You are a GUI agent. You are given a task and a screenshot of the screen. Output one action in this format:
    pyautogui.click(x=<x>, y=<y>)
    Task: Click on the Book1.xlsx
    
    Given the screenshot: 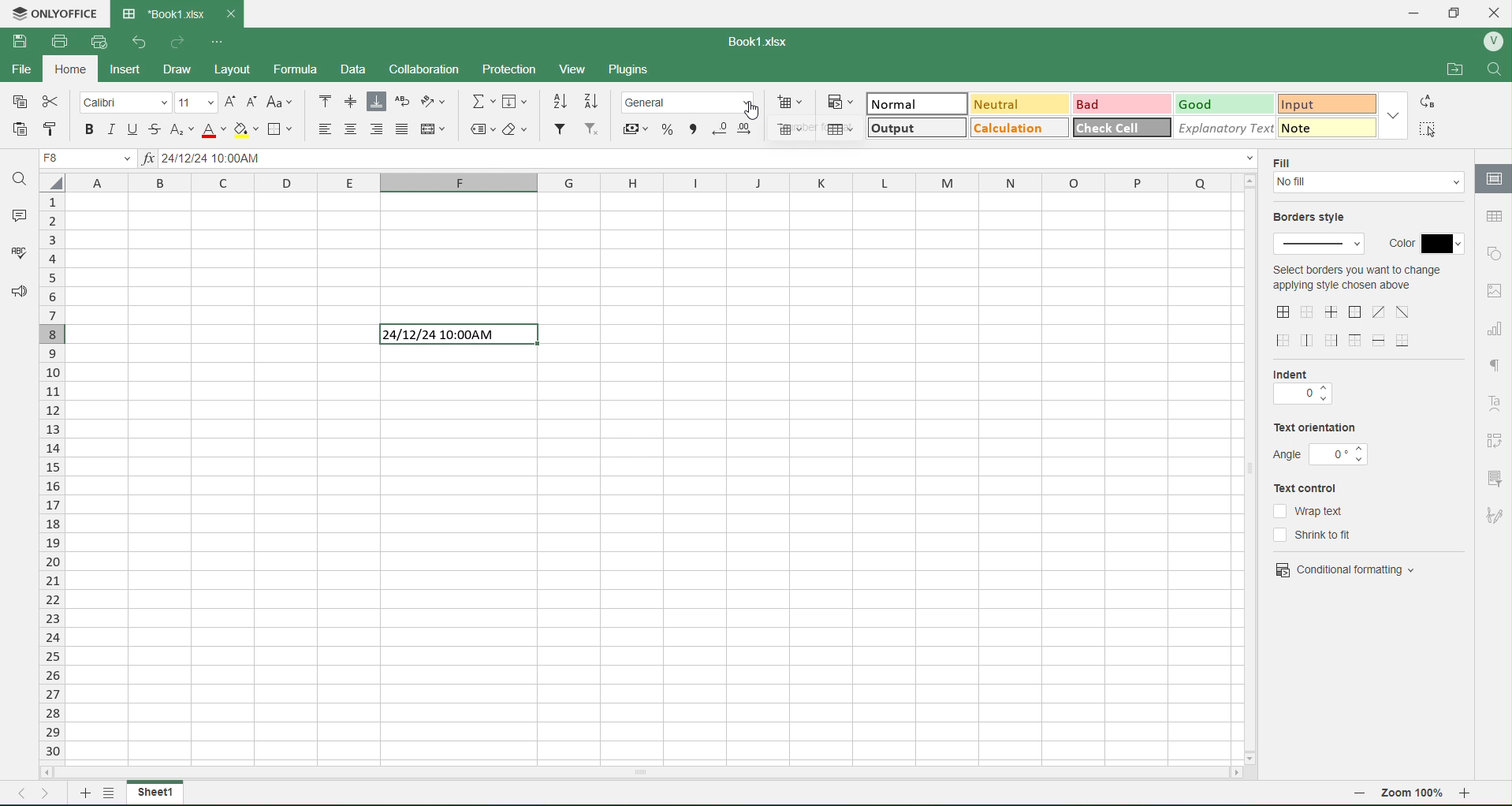 What is the action you would take?
    pyautogui.click(x=763, y=39)
    